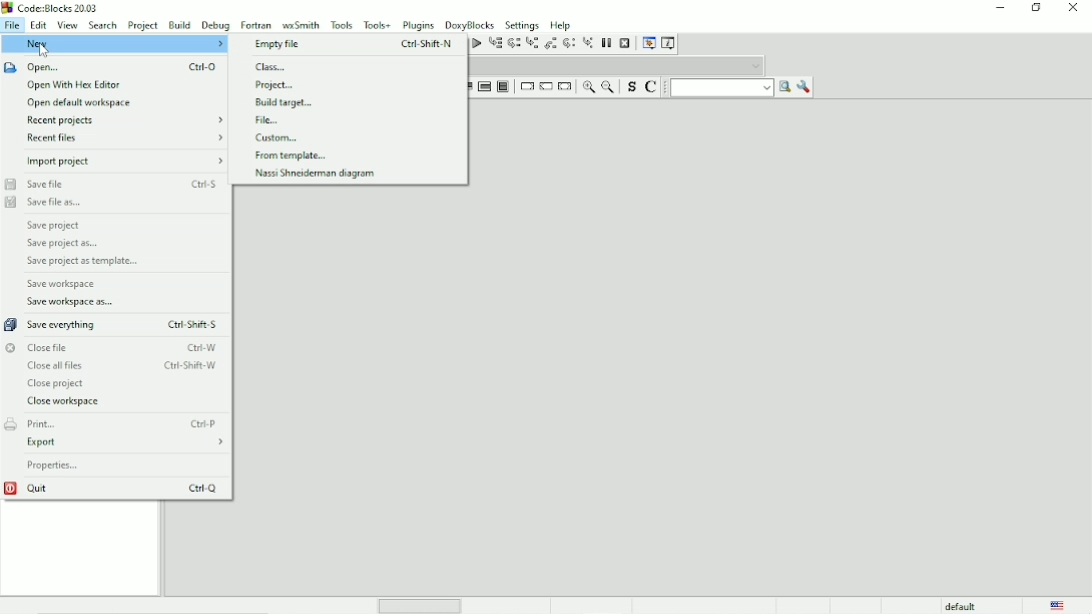 This screenshot has height=614, width=1092. Describe the element at coordinates (126, 443) in the screenshot. I see `Export` at that location.